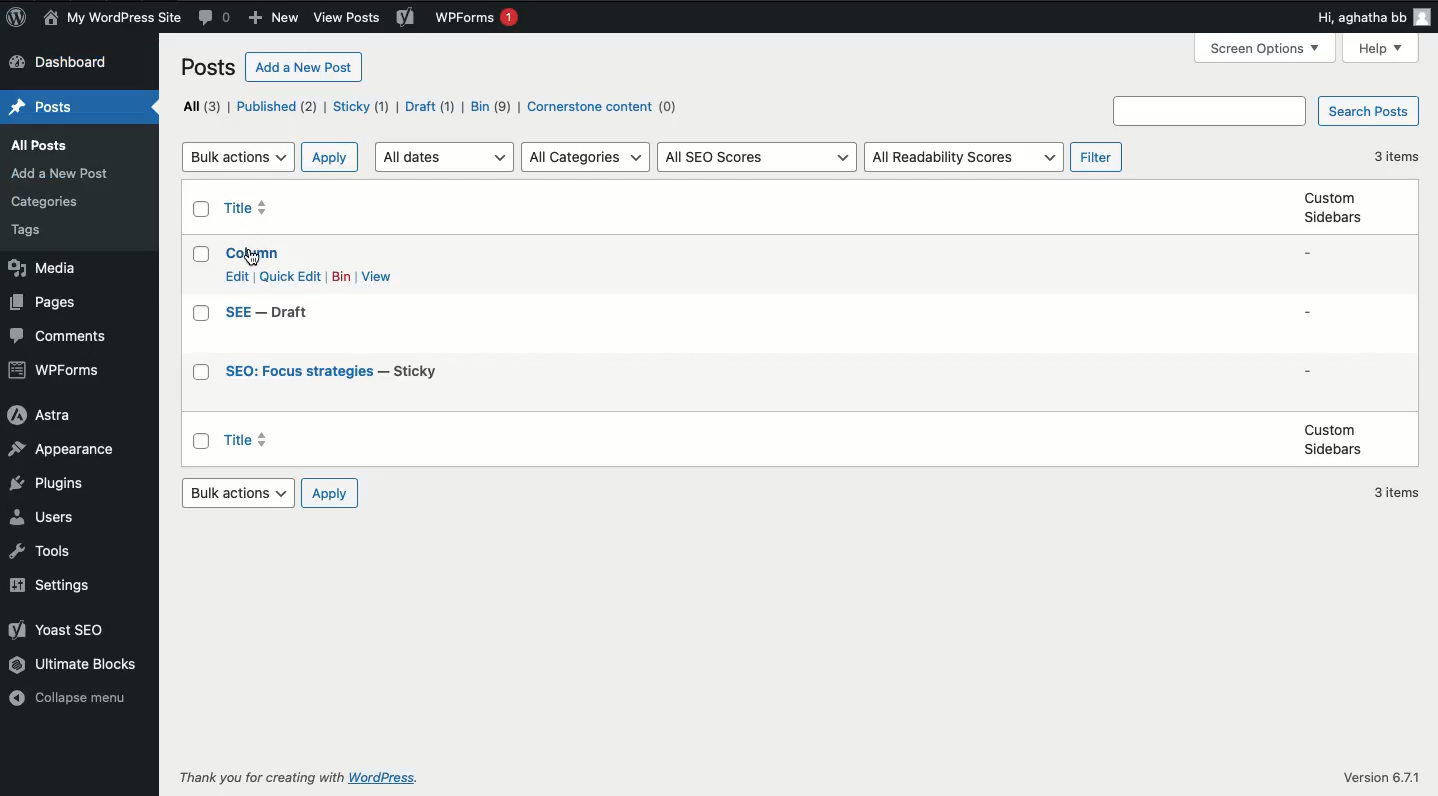 This screenshot has width=1438, height=796. Describe the element at coordinates (388, 778) in the screenshot. I see `` at that location.